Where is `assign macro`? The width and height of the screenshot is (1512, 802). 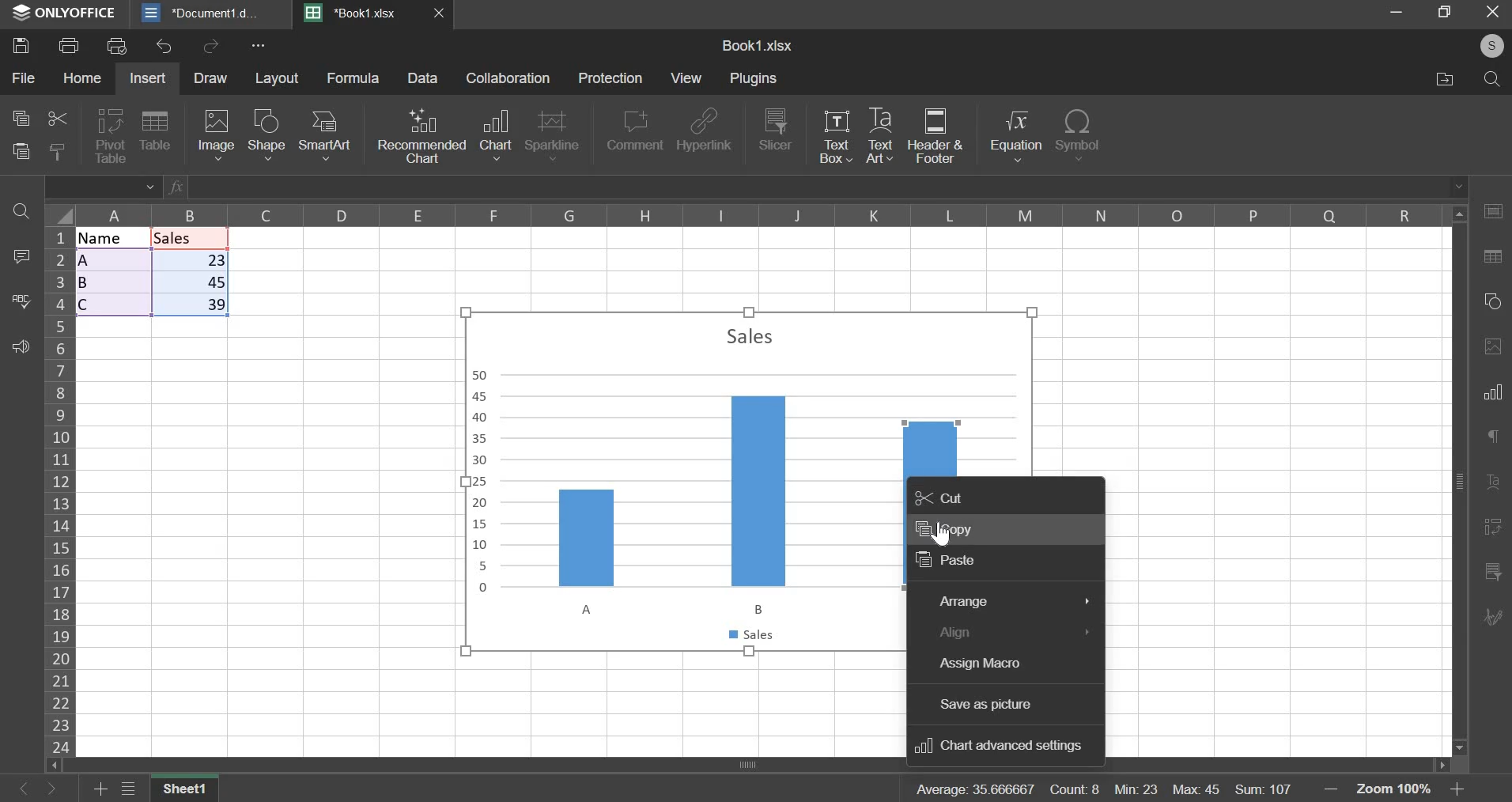
assign macro is located at coordinates (978, 664).